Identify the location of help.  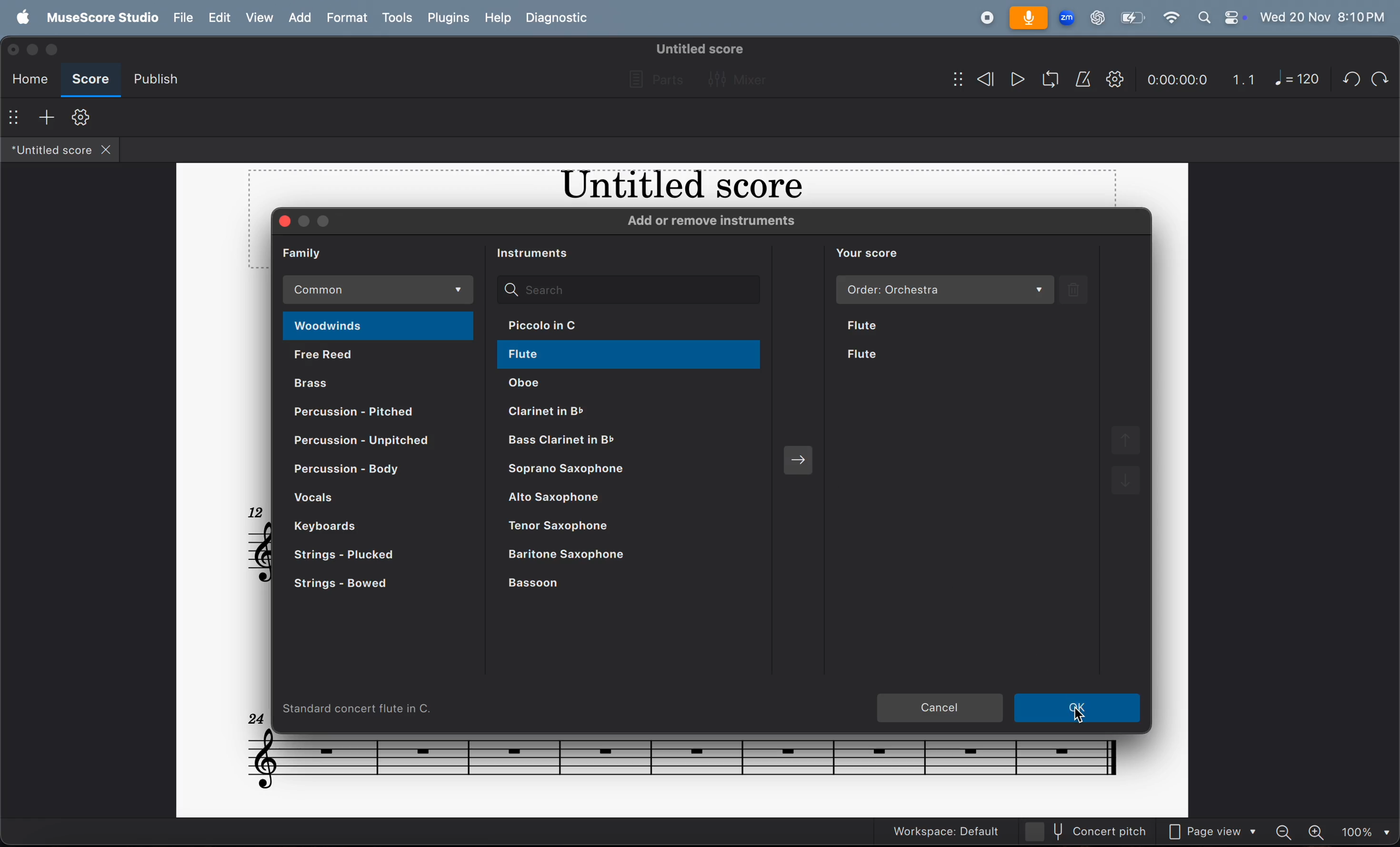
(501, 18).